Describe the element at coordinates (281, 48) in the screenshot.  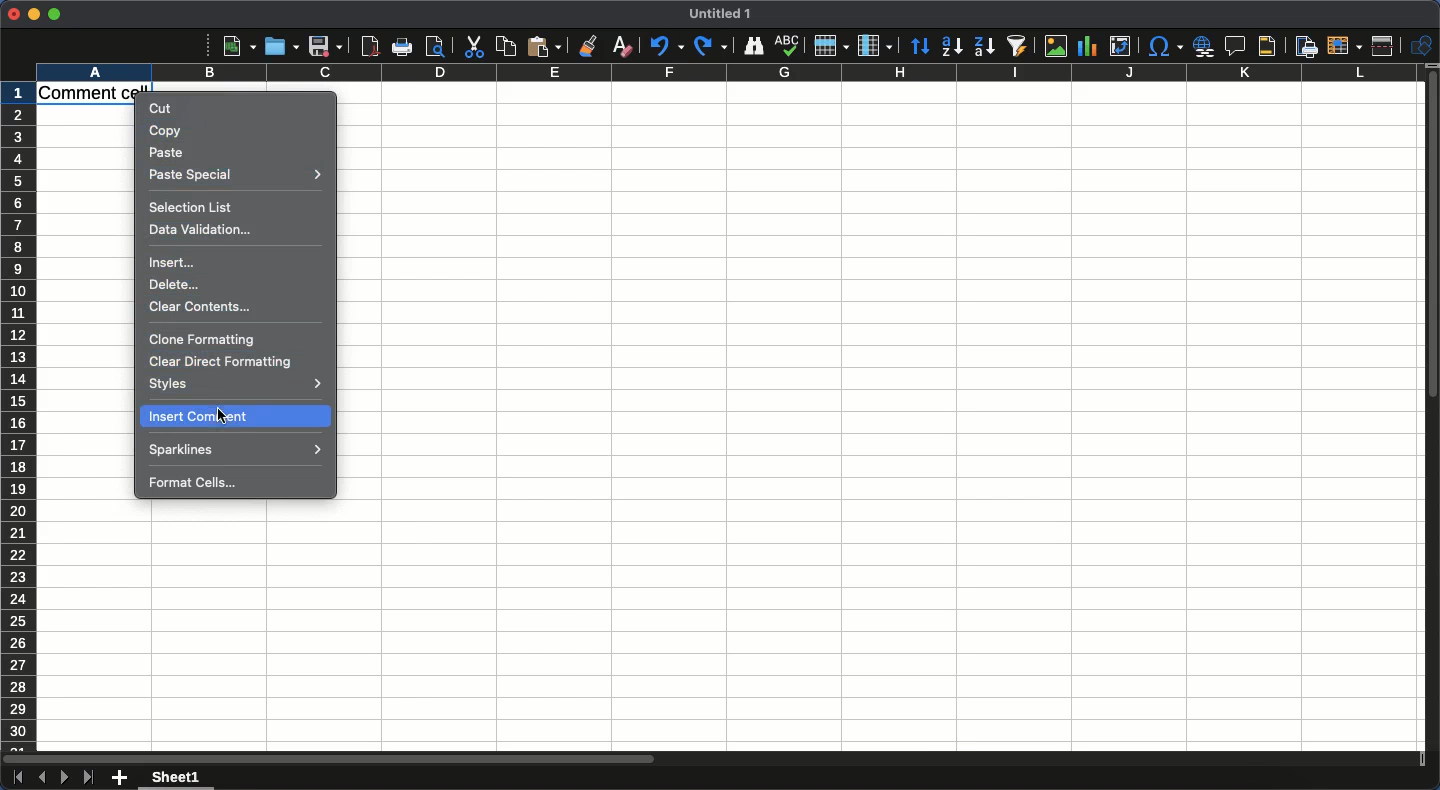
I see `Open` at that location.